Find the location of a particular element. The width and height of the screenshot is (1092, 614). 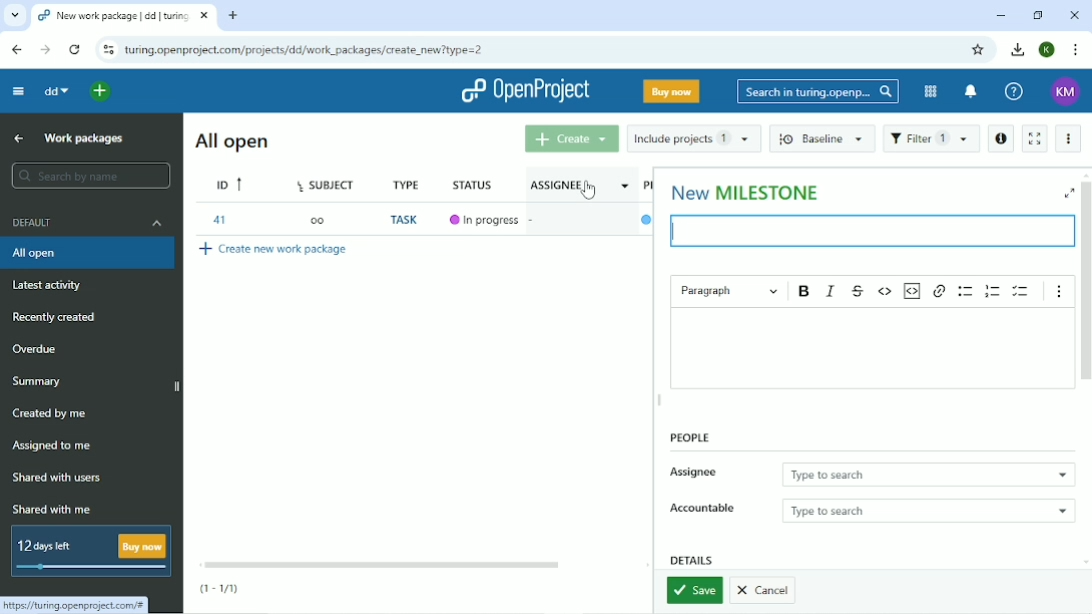

All open is located at coordinates (230, 141).